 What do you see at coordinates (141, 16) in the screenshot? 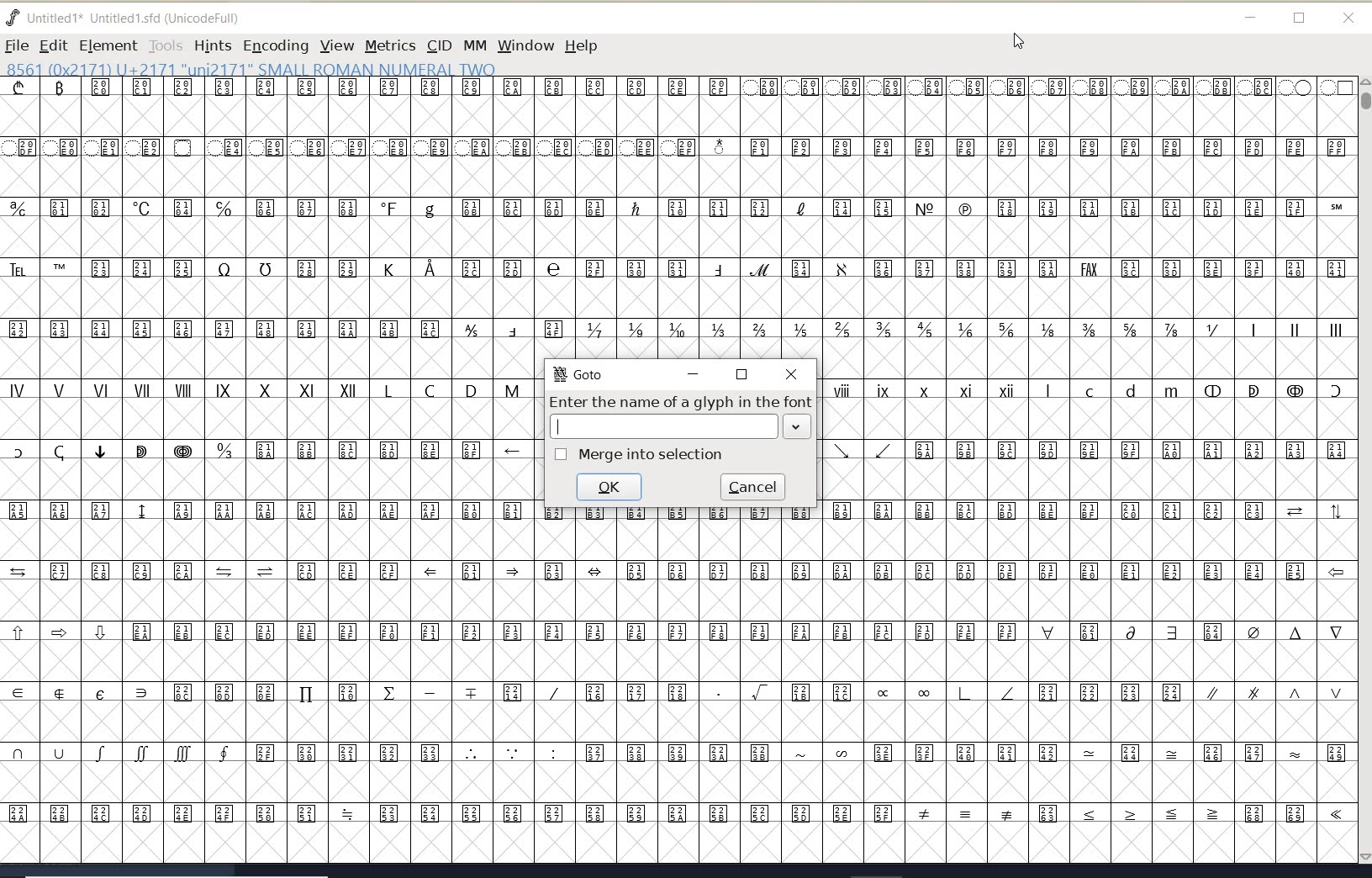
I see `untitled1* Untitled 1.sfd (UnicodeFull)` at bounding box center [141, 16].